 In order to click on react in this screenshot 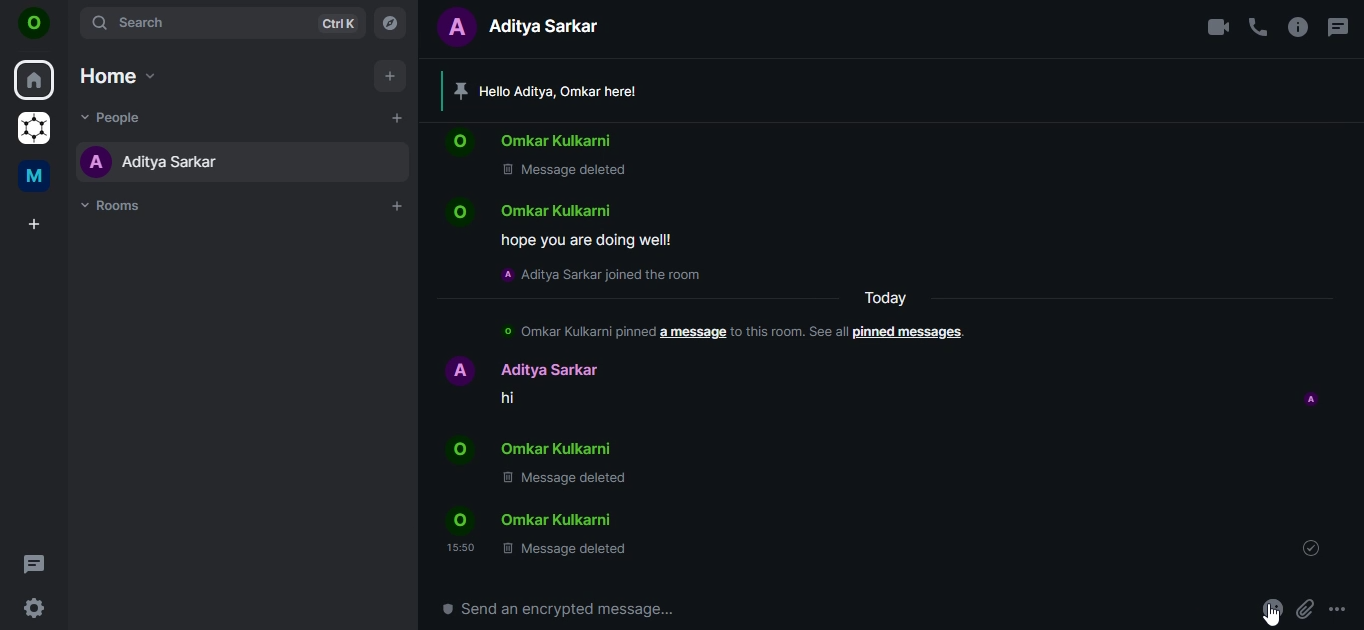, I will do `click(1271, 607)`.